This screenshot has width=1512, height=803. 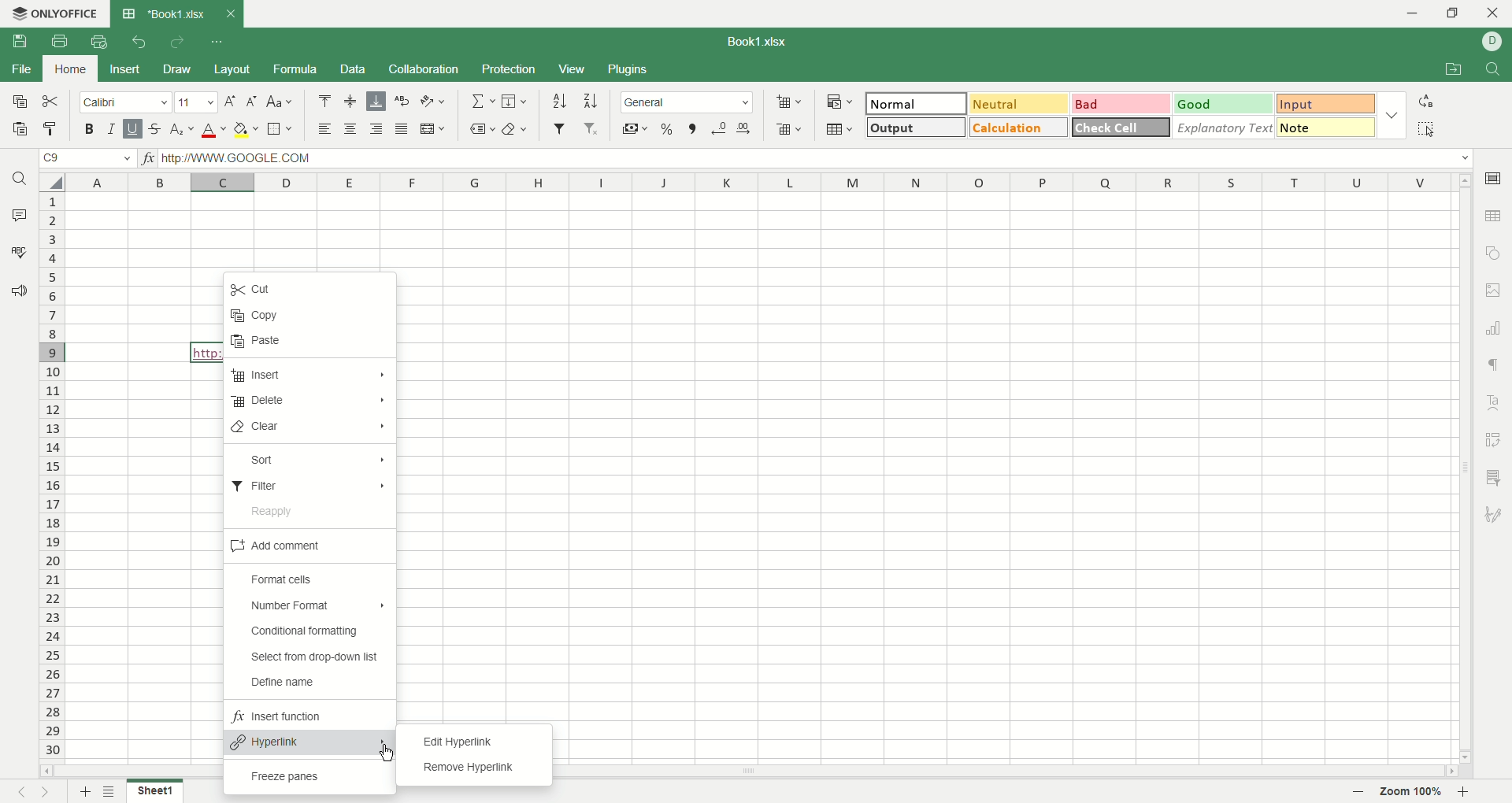 I want to click on align top, so click(x=323, y=100).